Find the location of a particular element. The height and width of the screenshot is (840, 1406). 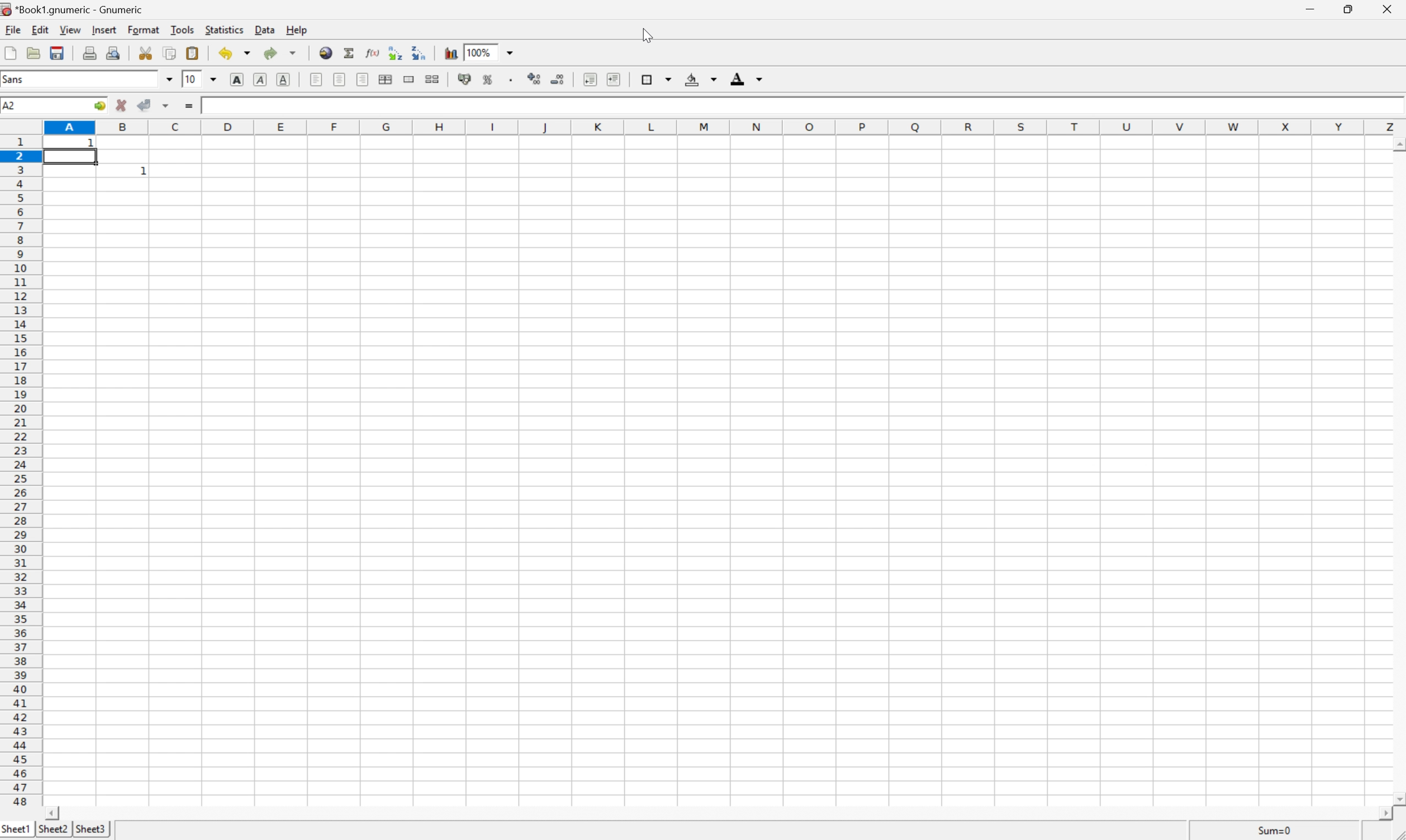

help is located at coordinates (296, 30).